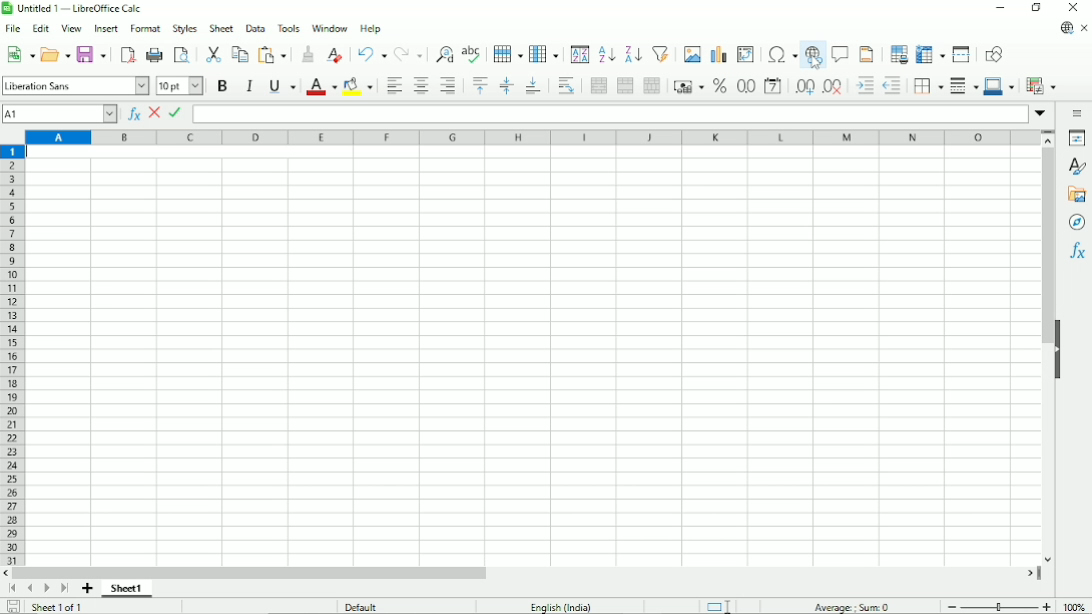 The height and width of the screenshot is (614, 1092). Describe the element at coordinates (127, 588) in the screenshot. I see `Sheet 1` at that location.